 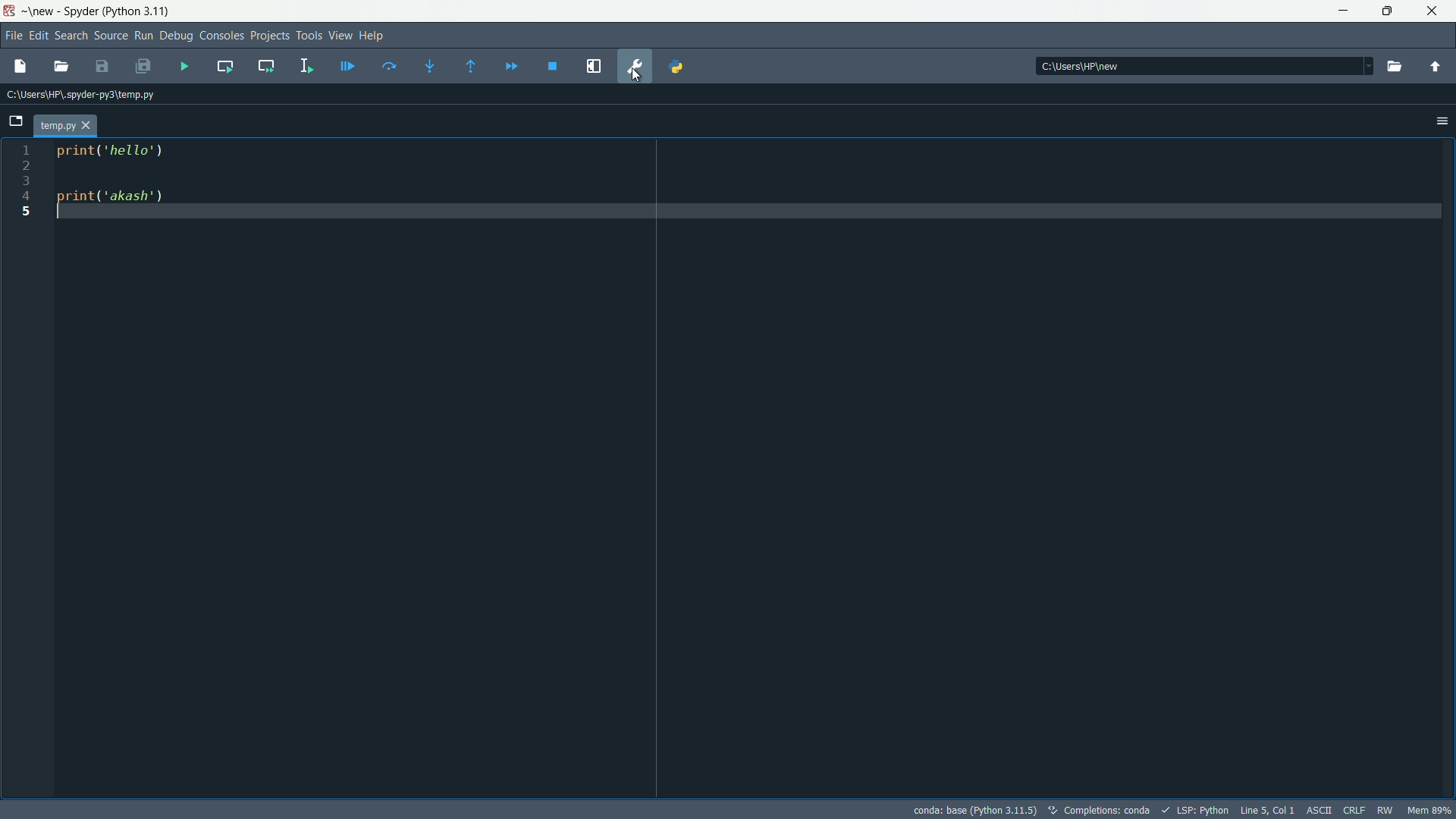 I want to click on run current cell, so click(x=225, y=66).